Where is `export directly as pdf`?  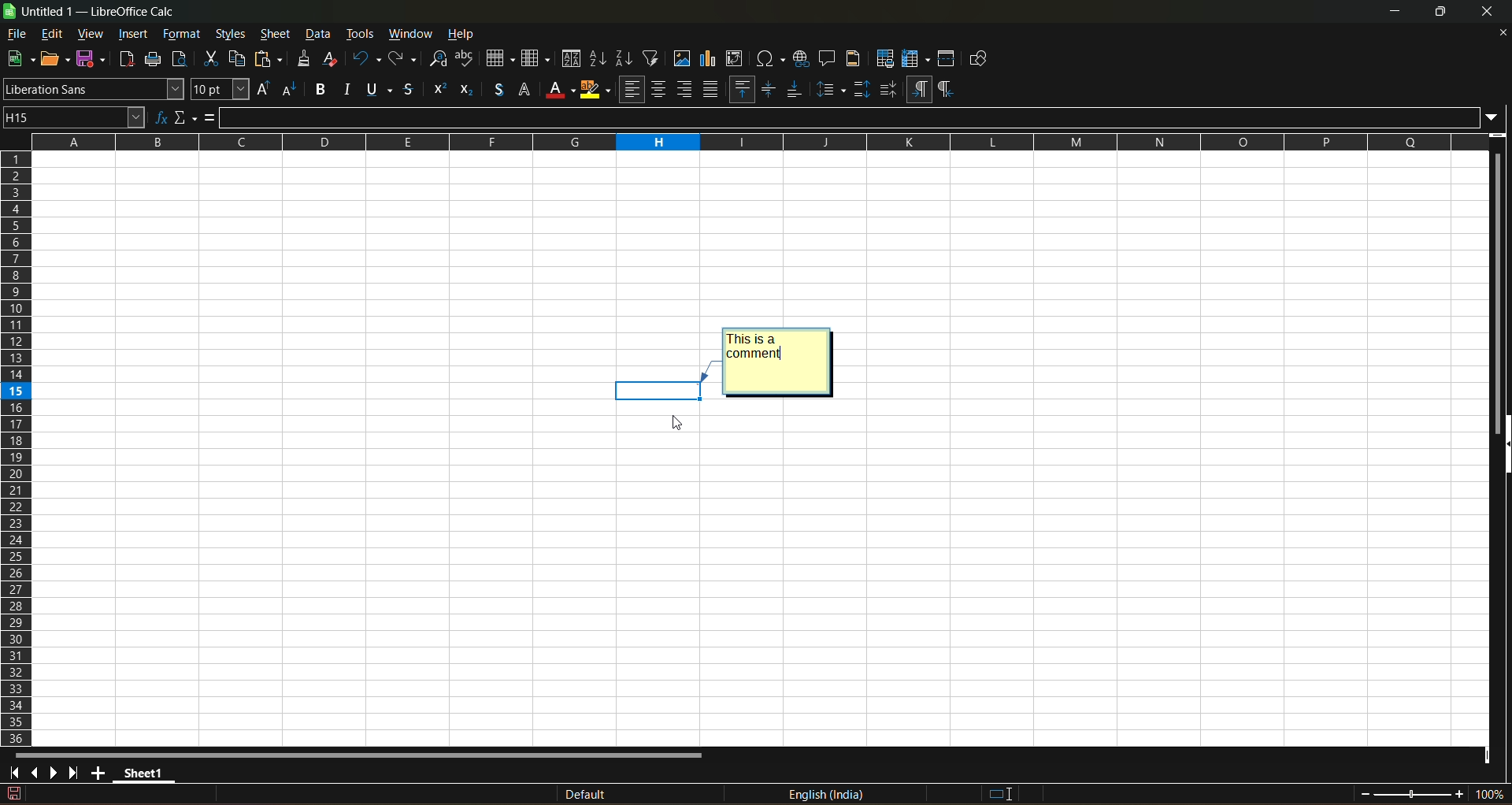 export directly as pdf is located at coordinates (127, 58).